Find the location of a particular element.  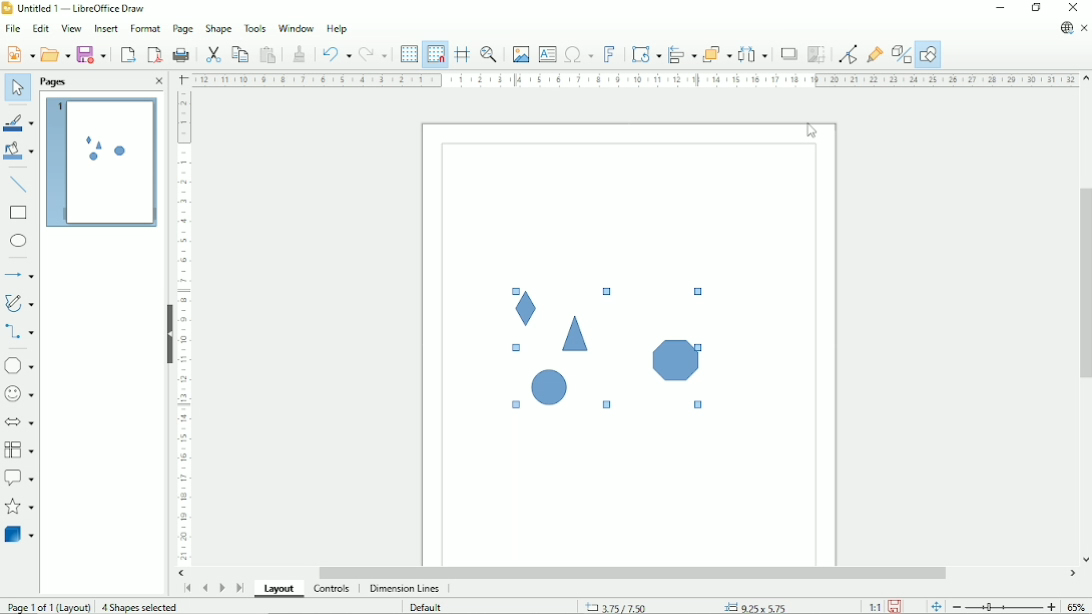

Toggle point edit mode is located at coordinates (846, 53).